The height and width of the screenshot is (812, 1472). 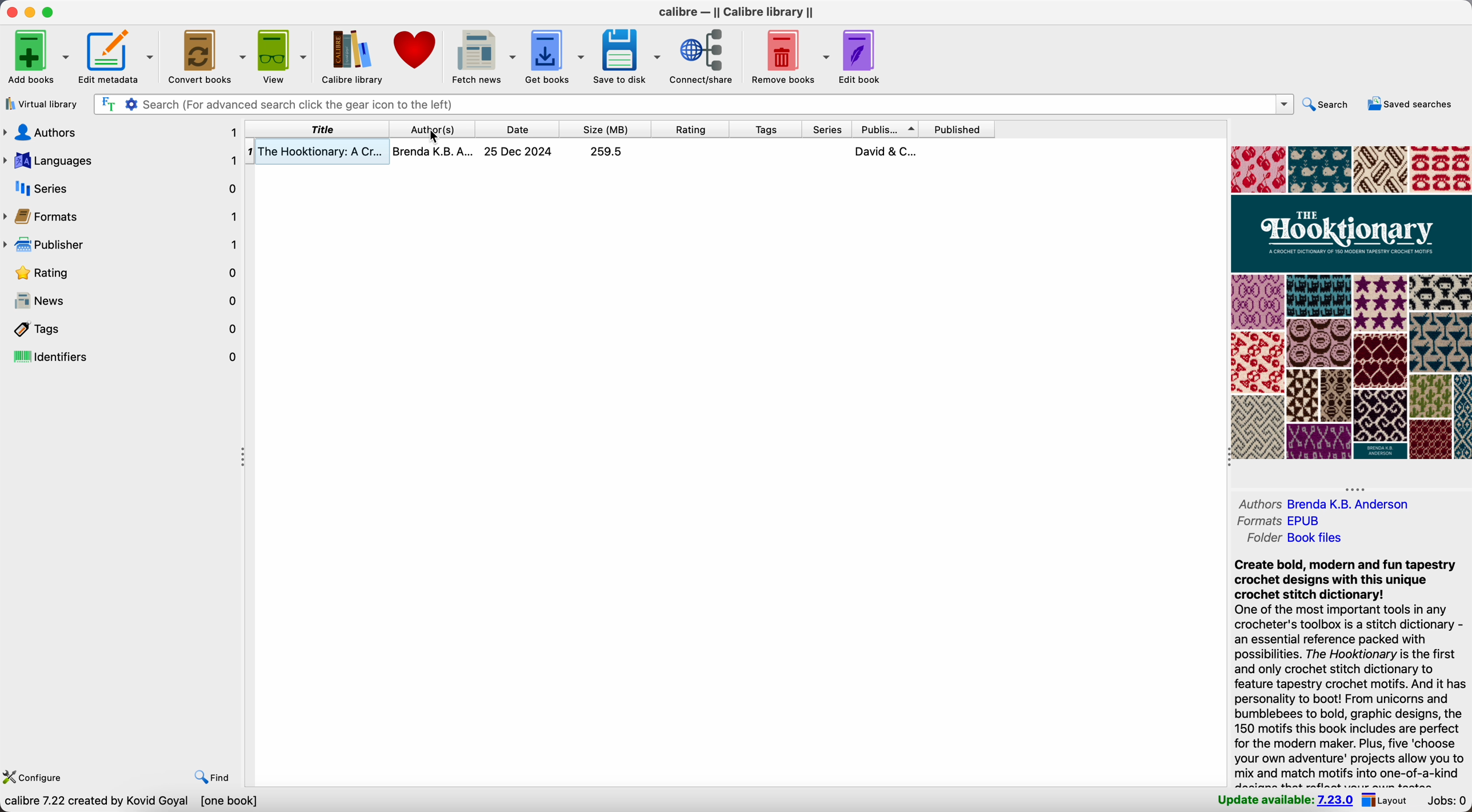 What do you see at coordinates (741, 13) in the screenshot?
I see `Calibre` at bounding box center [741, 13].